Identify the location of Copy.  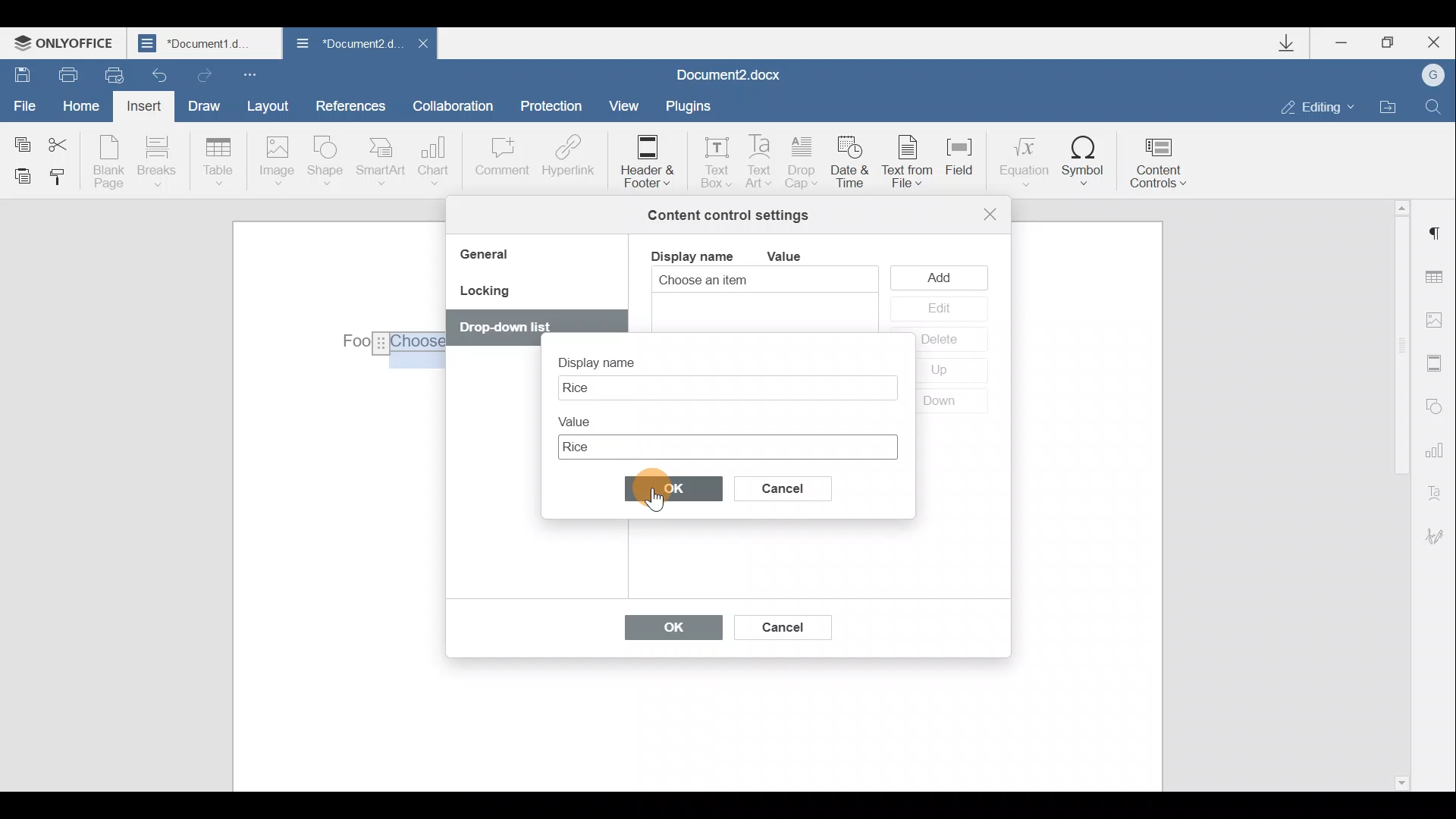
(21, 141).